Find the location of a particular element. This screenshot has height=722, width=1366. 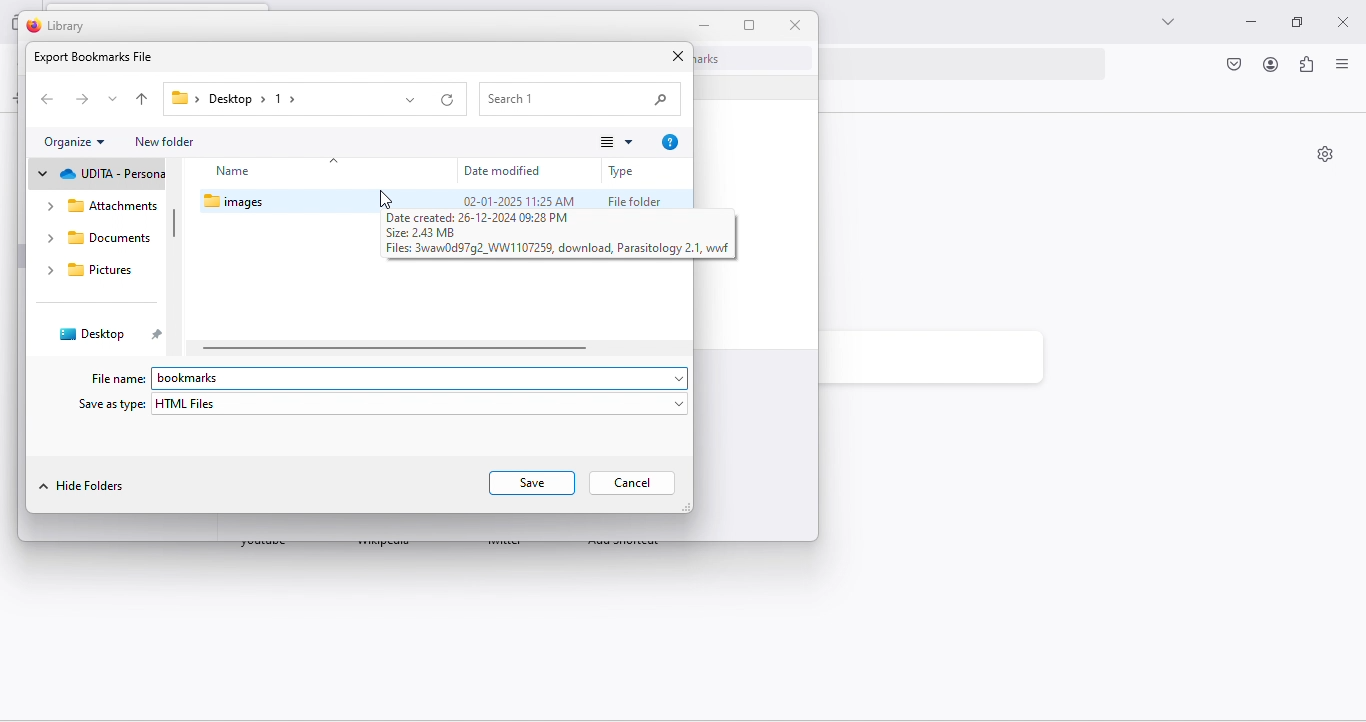

save is located at coordinates (529, 483).